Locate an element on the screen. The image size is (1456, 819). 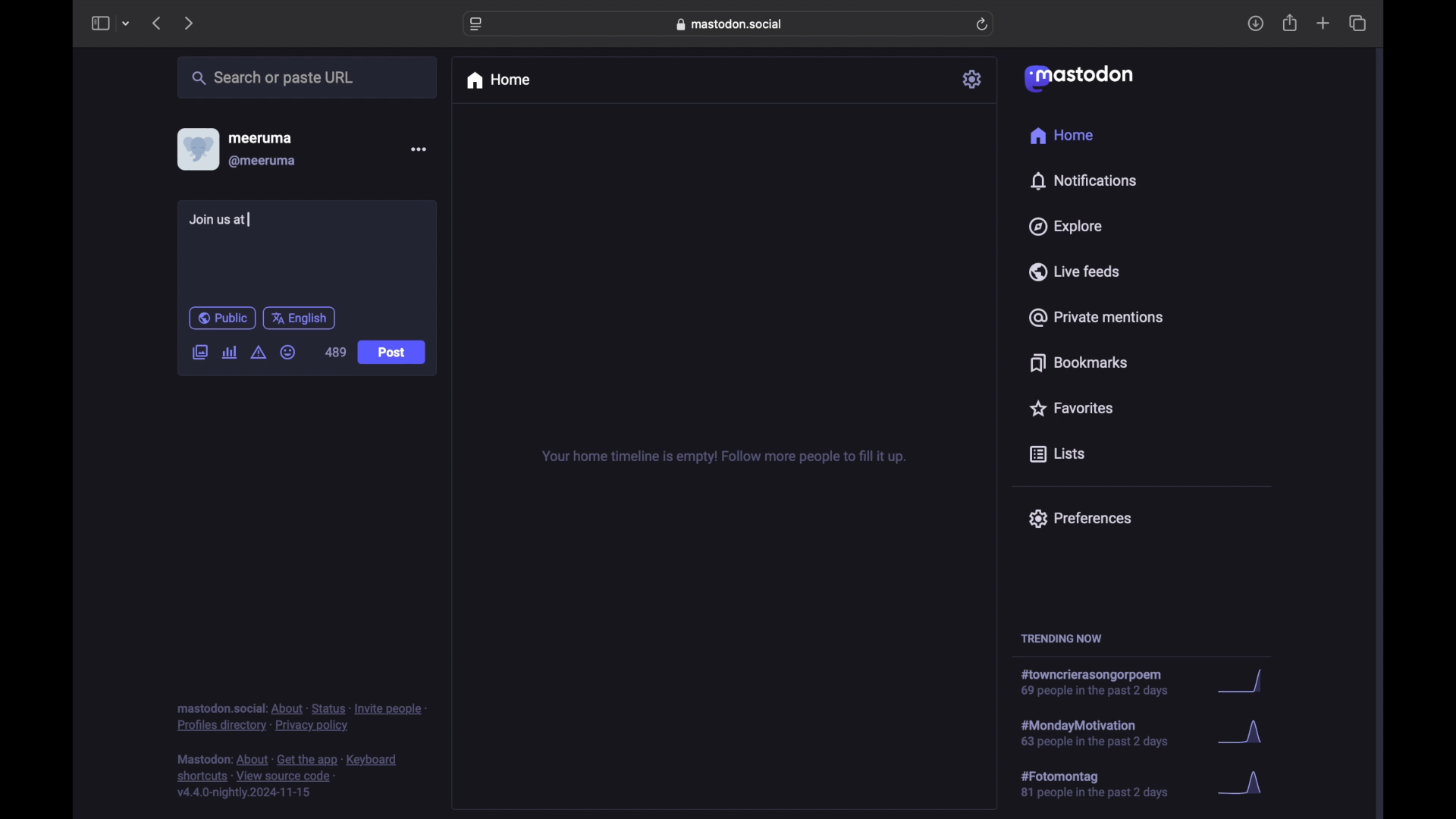
public is located at coordinates (221, 318).